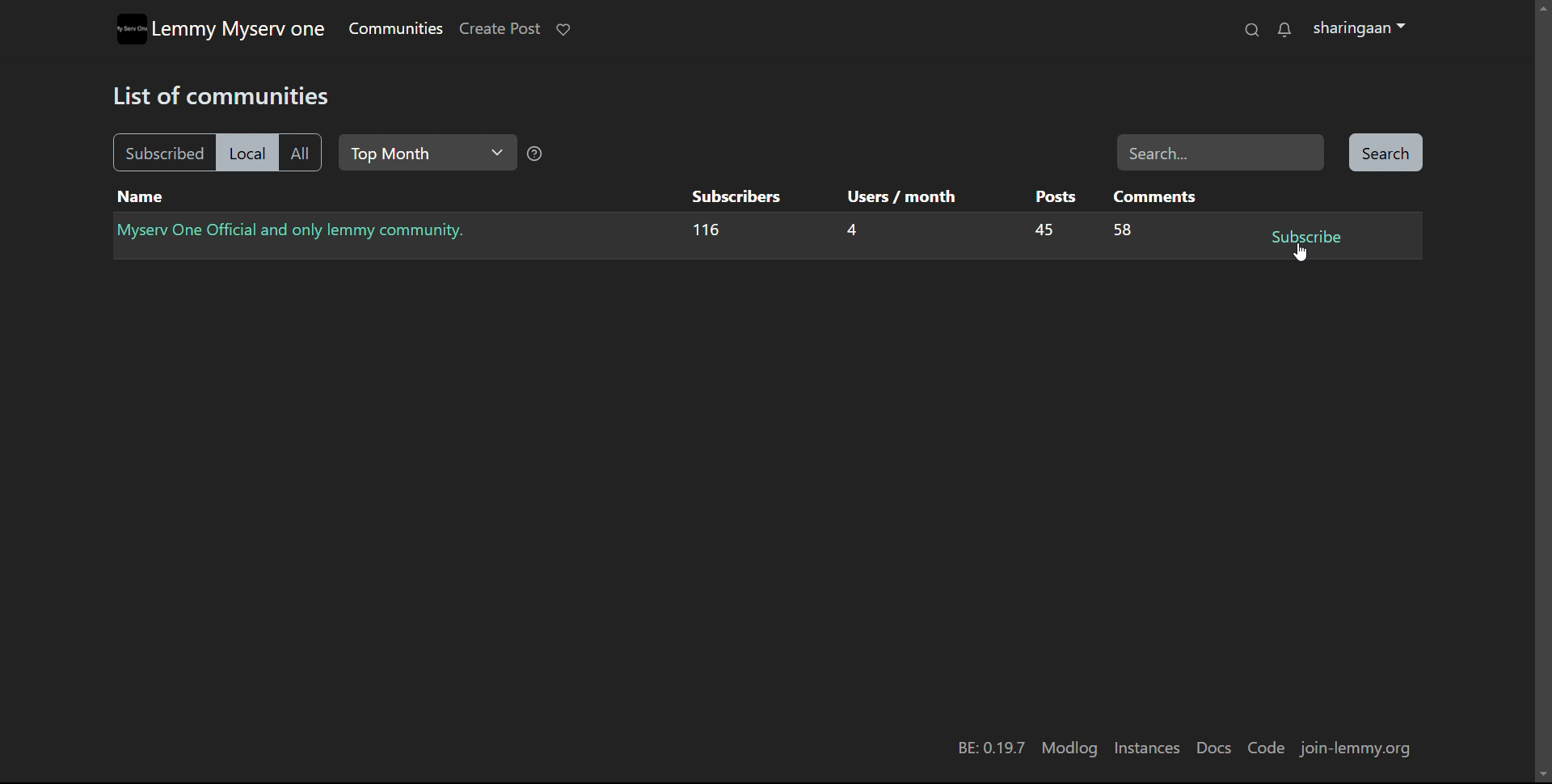  What do you see at coordinates (130, 29) in the screenshot?
I see `logo` at bounding box center [130, 29].